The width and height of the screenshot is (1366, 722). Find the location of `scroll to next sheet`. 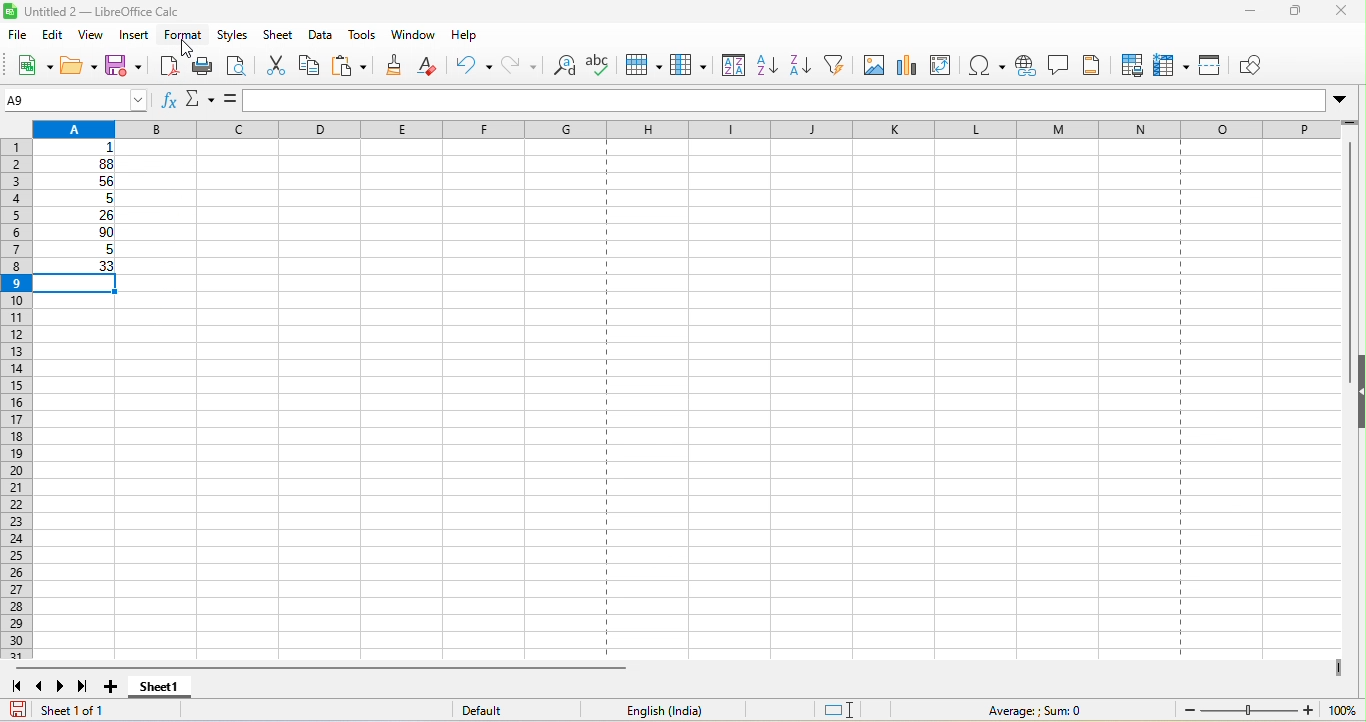

scroll to next sheet is located at coordinates (65, 689).